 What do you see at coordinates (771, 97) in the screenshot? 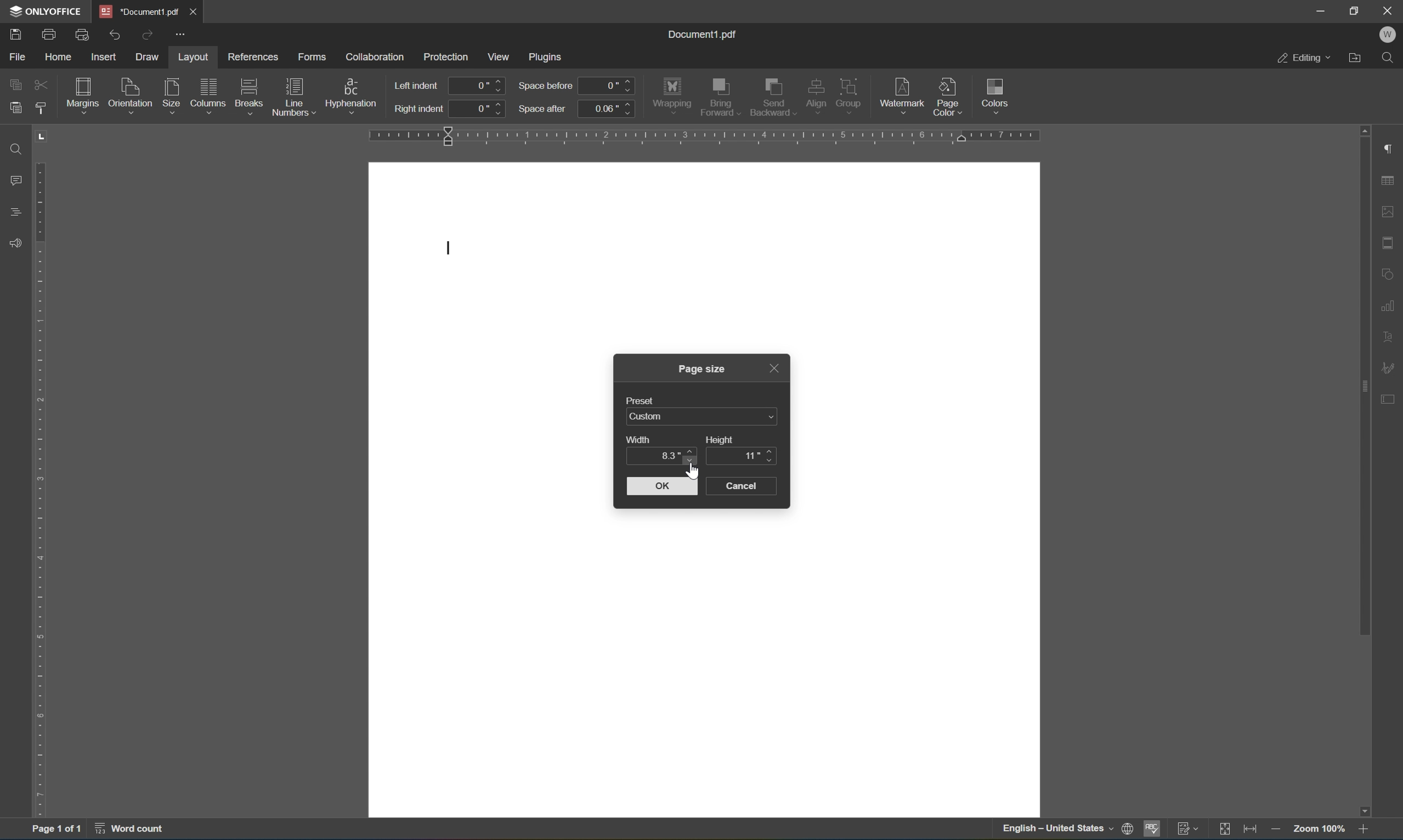
I see `send backward` at bounding box center [771, 97].